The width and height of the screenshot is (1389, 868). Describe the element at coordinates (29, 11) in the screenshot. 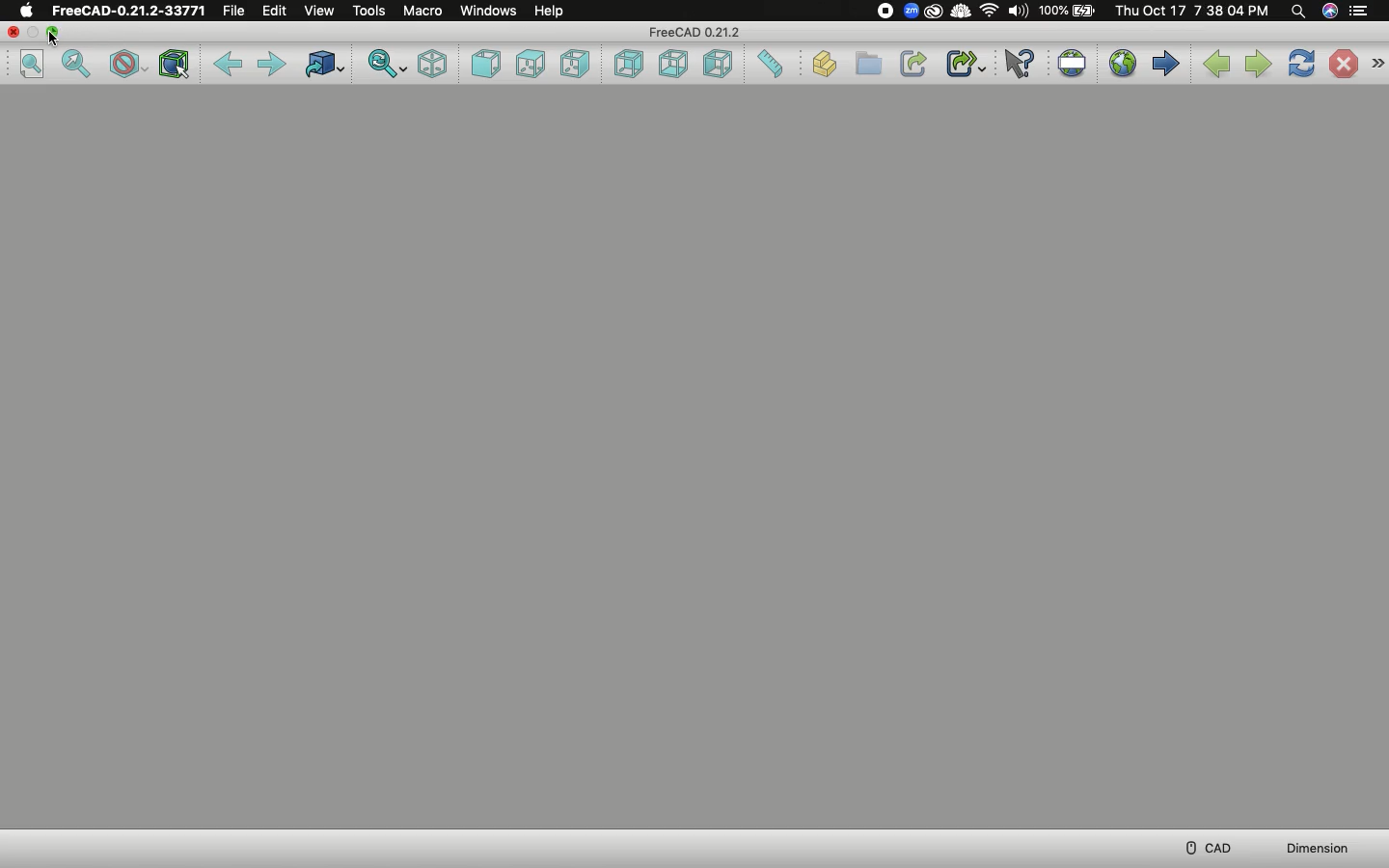

I see `Apple logo` at that location.